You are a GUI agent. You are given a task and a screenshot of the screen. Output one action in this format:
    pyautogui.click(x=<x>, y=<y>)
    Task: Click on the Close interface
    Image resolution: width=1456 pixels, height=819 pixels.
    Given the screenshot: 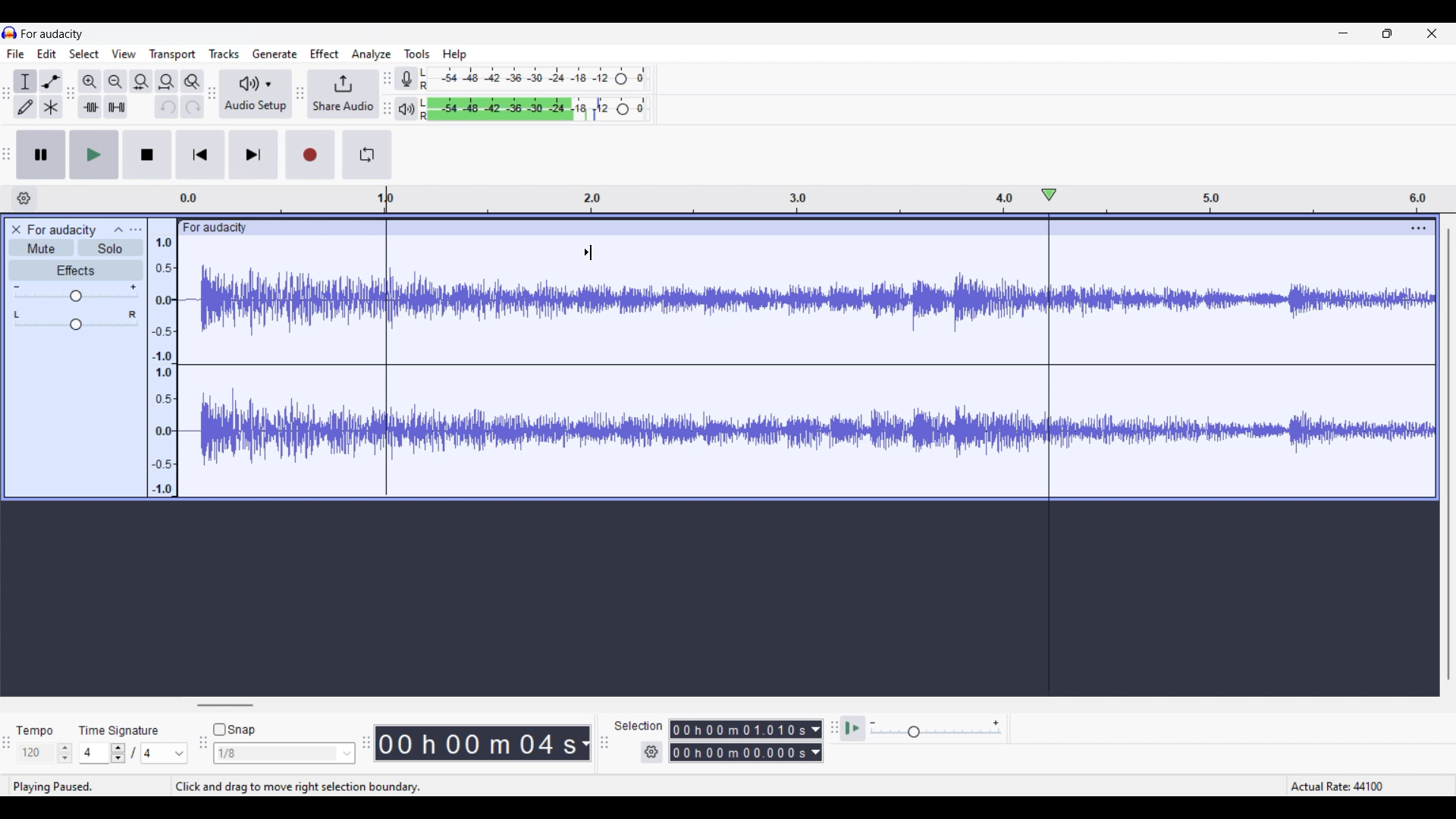 What is the action you would take?
    pyautogui.click(x=1432, y=33)
    